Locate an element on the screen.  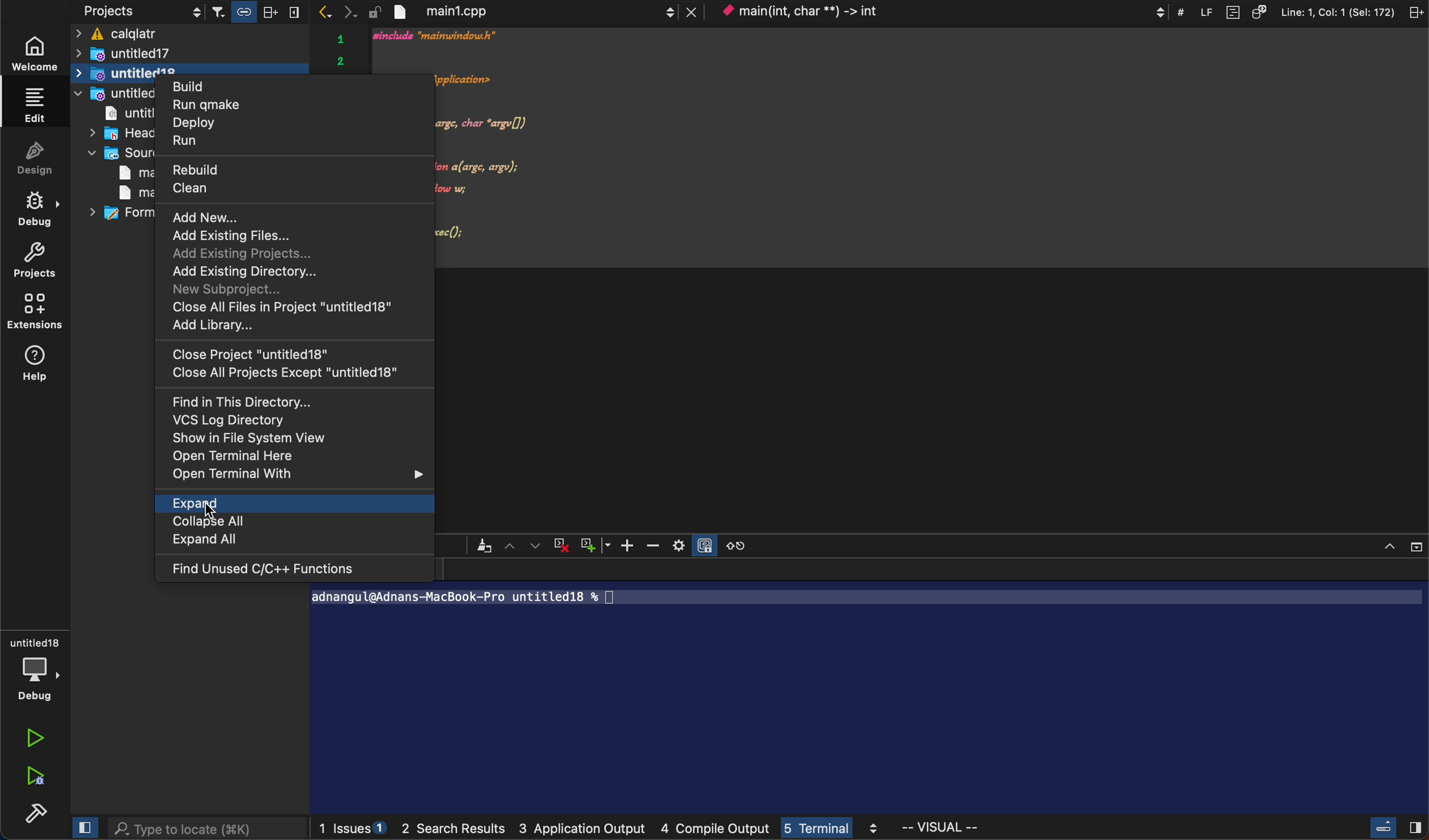
main1,cpp is located at coordinates (128, 171).